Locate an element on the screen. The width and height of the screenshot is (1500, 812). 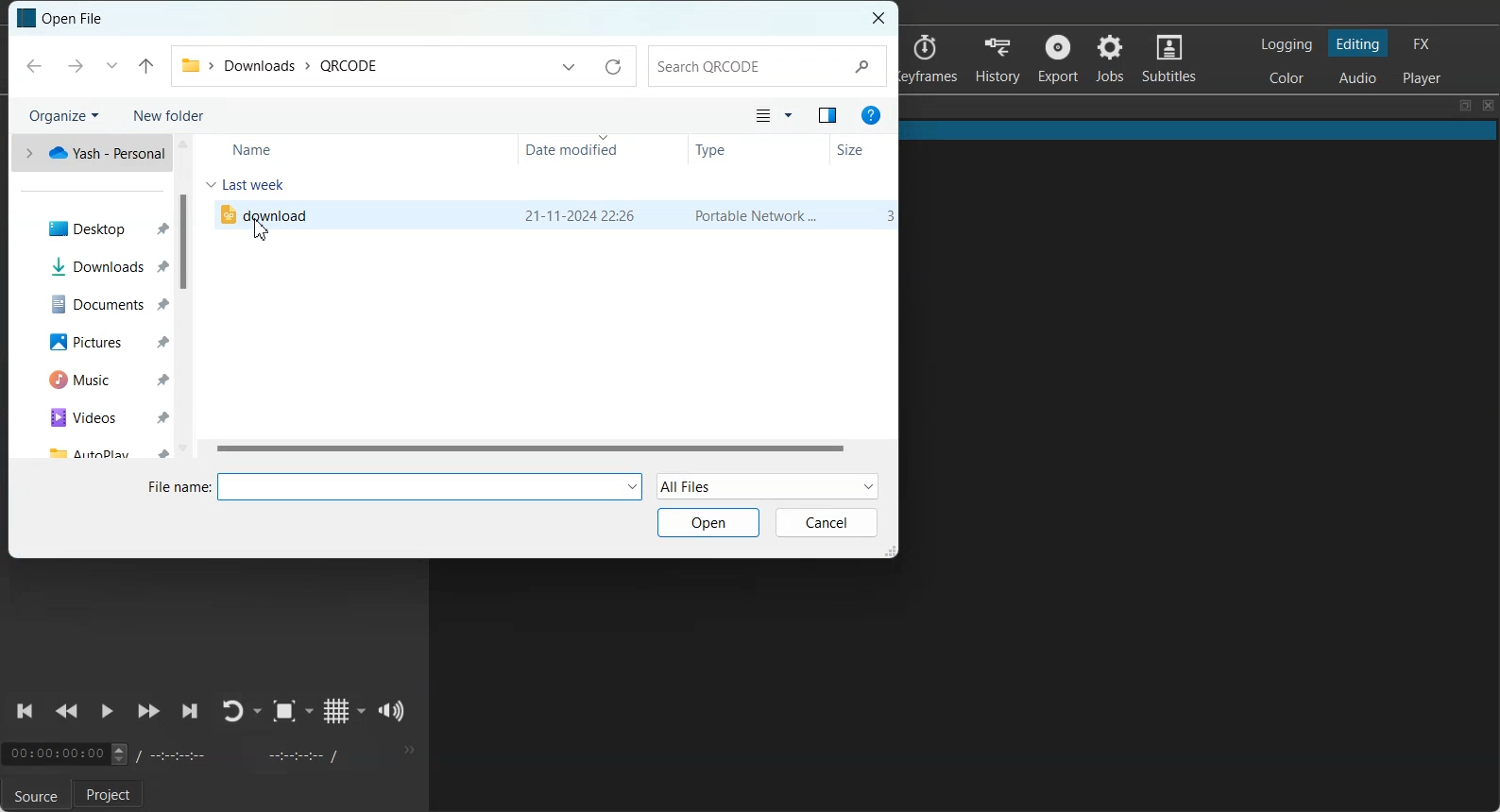
Search Bar is located at coordinates (771, 65).